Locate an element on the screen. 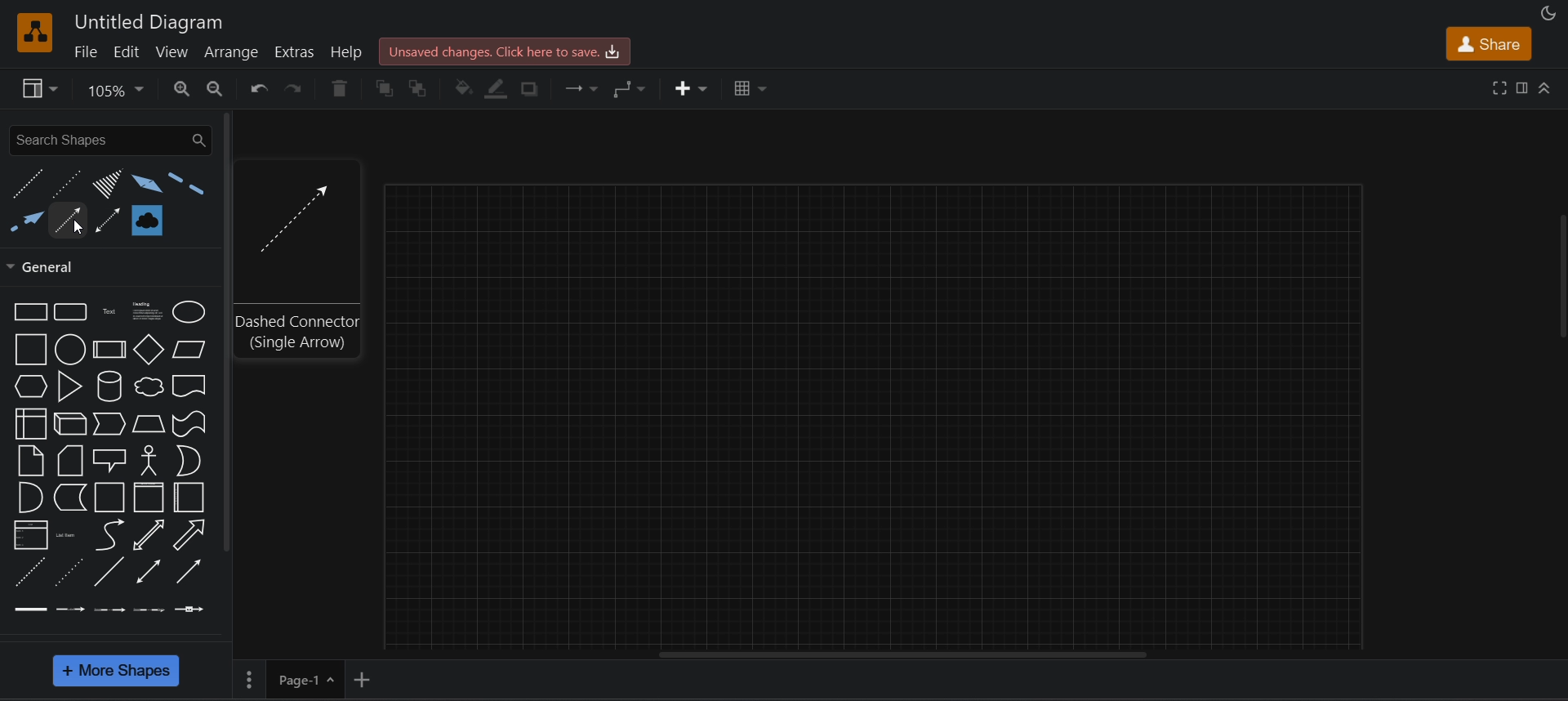 The height and width of the screenshot is (701, 1568). fullscreen is located at coordinates (1499, 88).